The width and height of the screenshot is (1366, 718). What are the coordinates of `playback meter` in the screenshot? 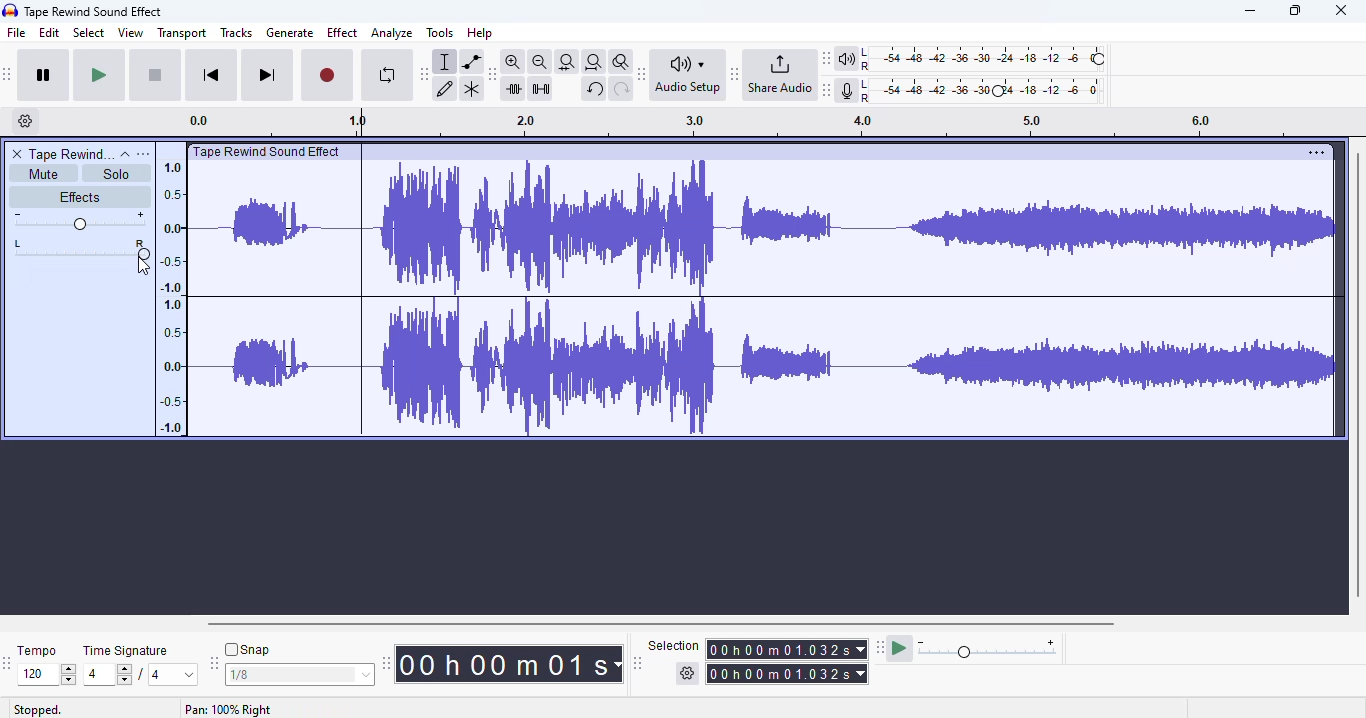 It's located at (973, 59).